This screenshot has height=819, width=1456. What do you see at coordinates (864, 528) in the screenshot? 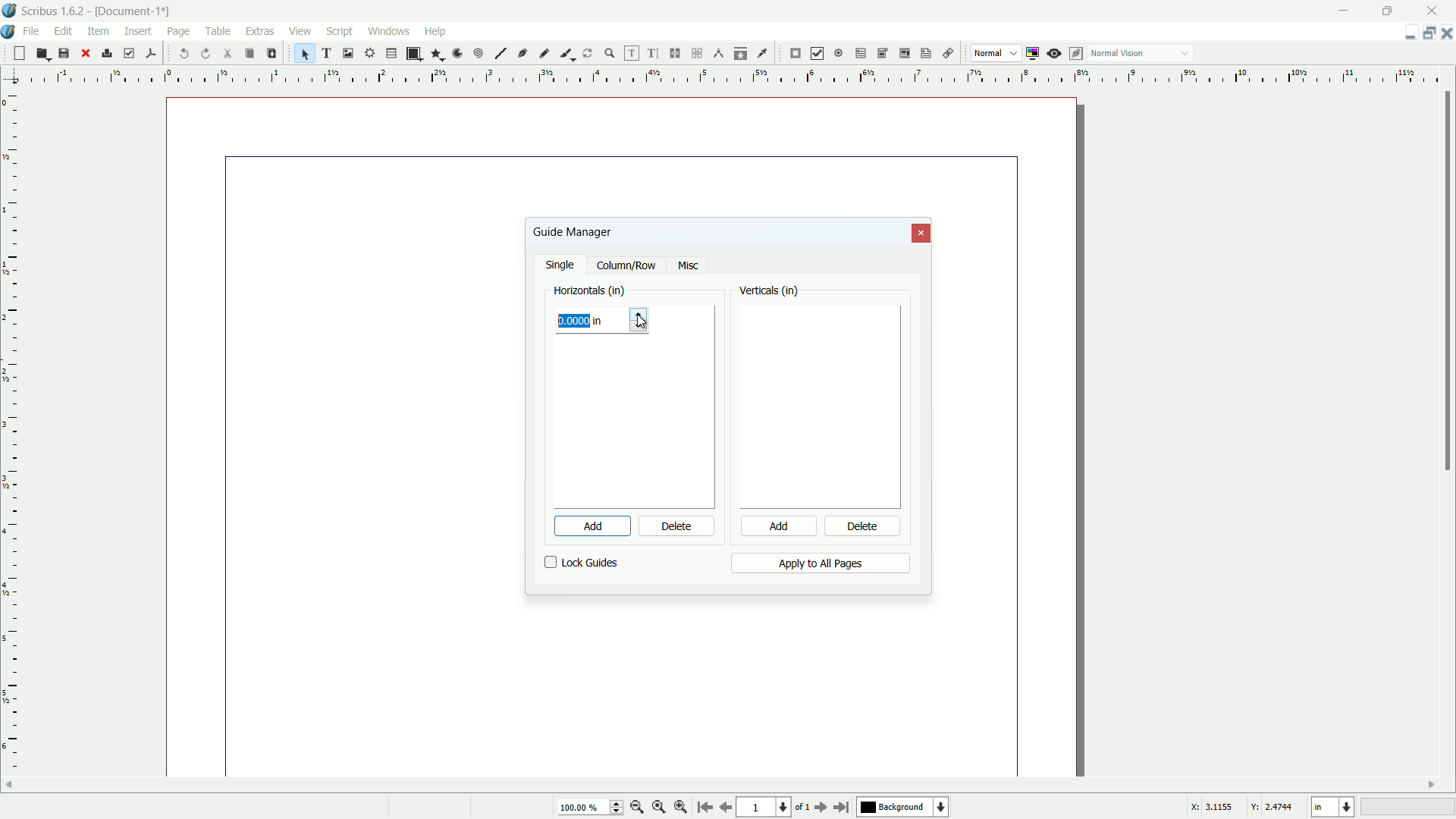
I see `delete` at bounding box center [864, 528].